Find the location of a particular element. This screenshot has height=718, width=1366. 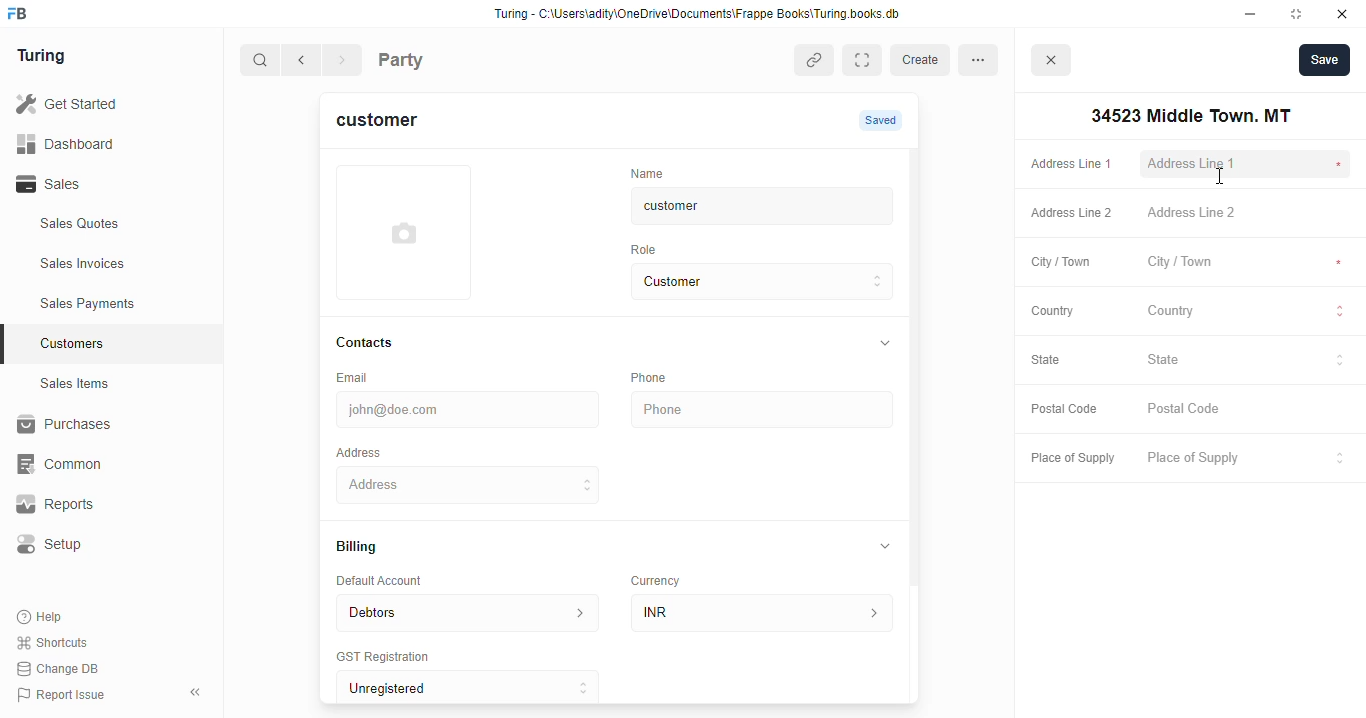

Postal Code is located at coordinates (1064, 410).